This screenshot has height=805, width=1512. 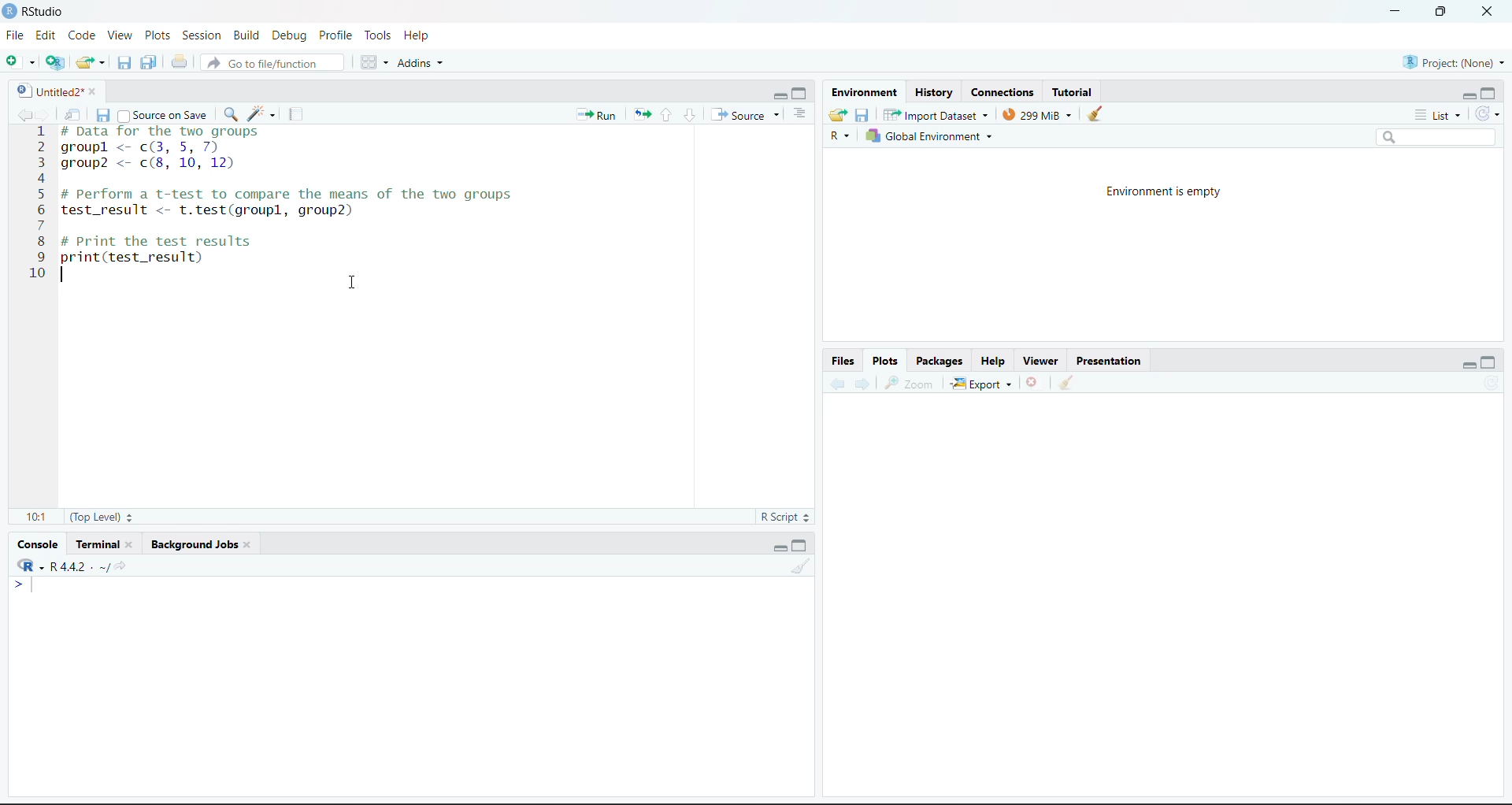 What do you see at coordinates (863, 91) in the screenshot?
I see `Environment` at bounding box center [863, 91].